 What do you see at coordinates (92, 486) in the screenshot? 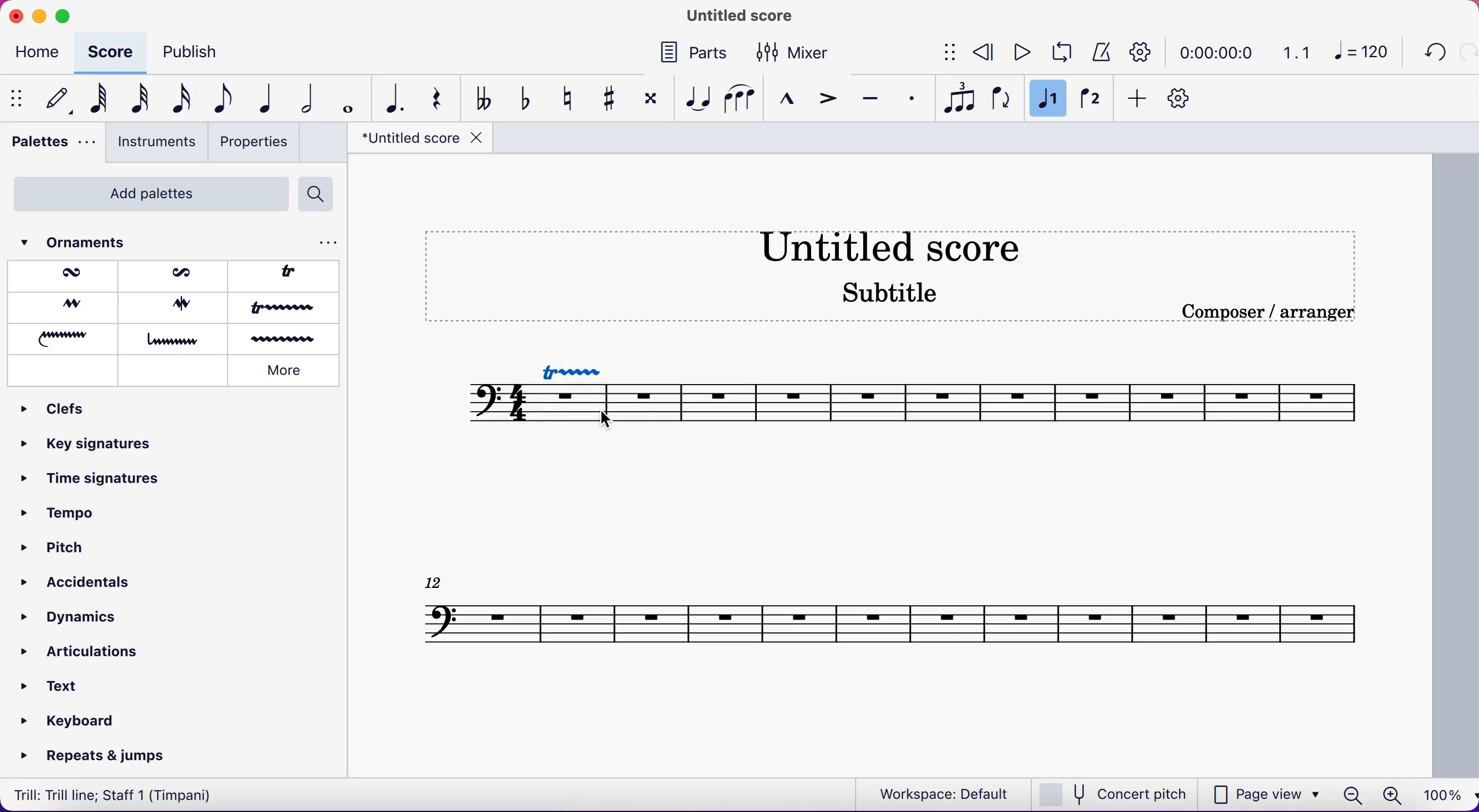
I see `time signatures` at bounding box center [92, 486].